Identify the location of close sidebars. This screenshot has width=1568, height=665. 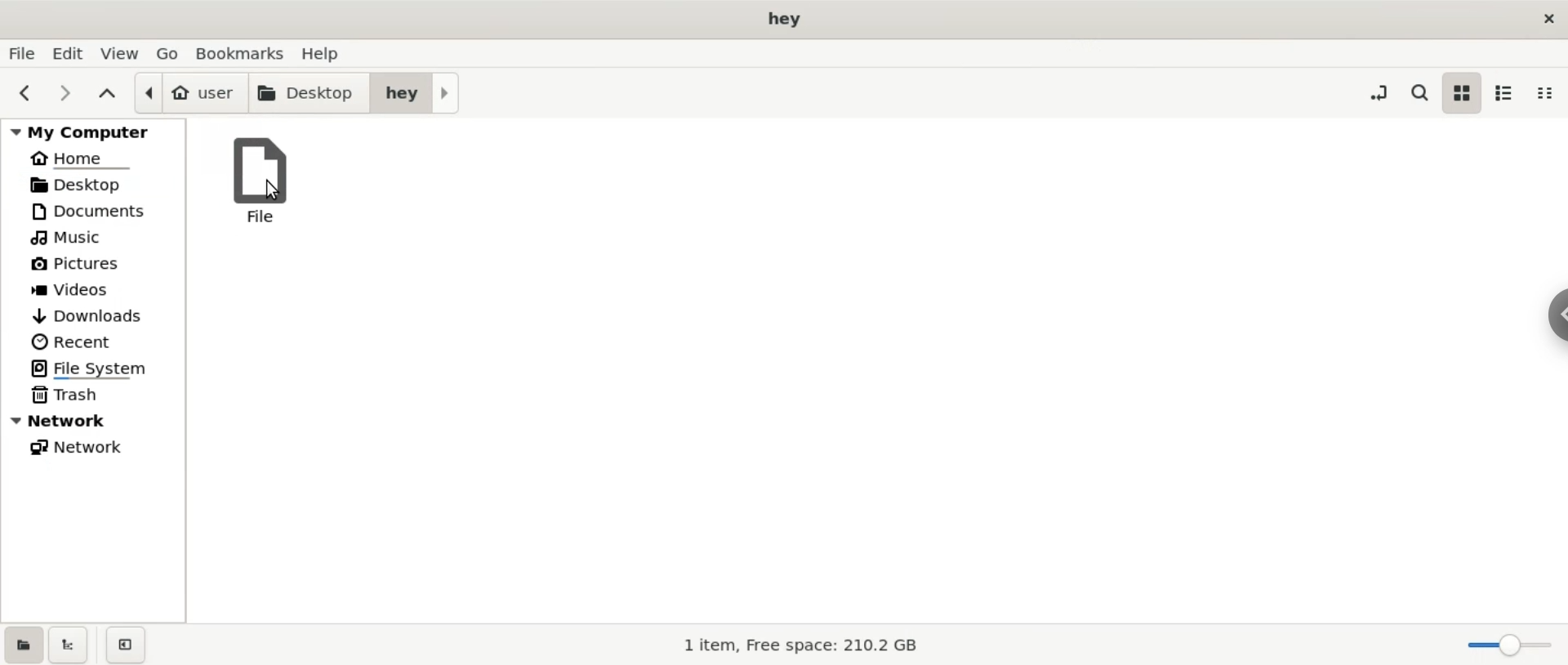
(125, 645).